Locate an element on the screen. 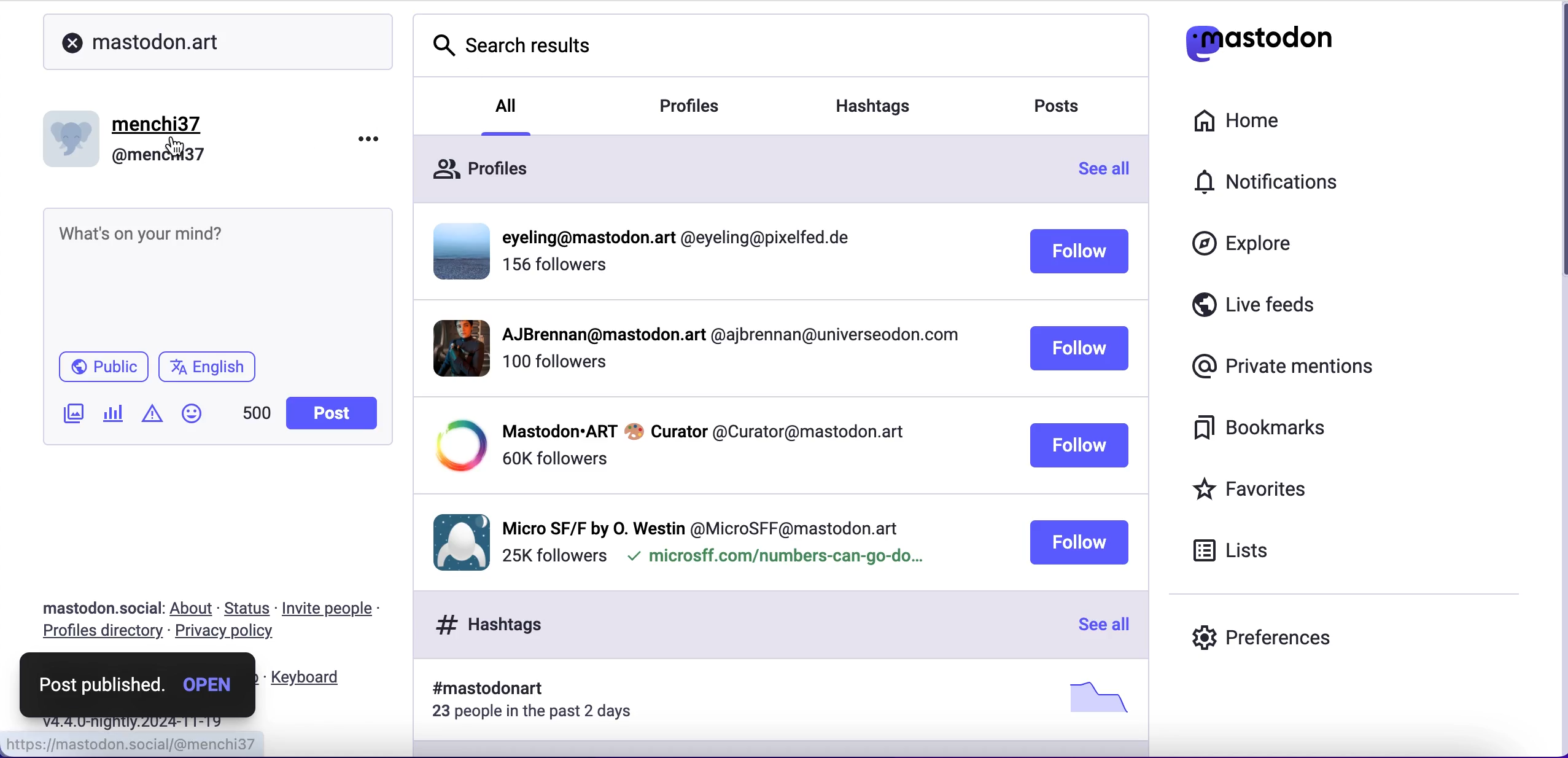 This screenshot has height=758, width=1568. display picture is located at coordinates (74, 135).